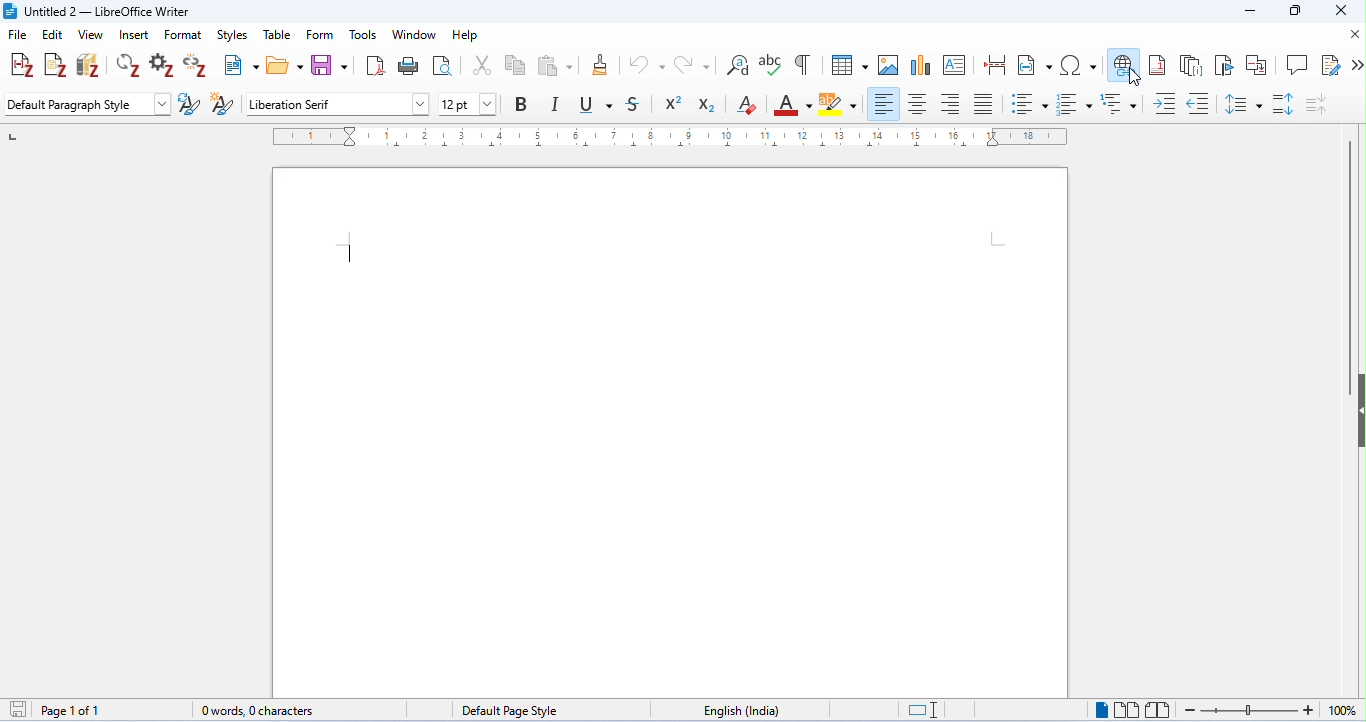 Image resolution: width=1366 pixels, height=722 pixels. Describe the element at coordinates (185, 35) in the screenshot. I see `format` at that location.